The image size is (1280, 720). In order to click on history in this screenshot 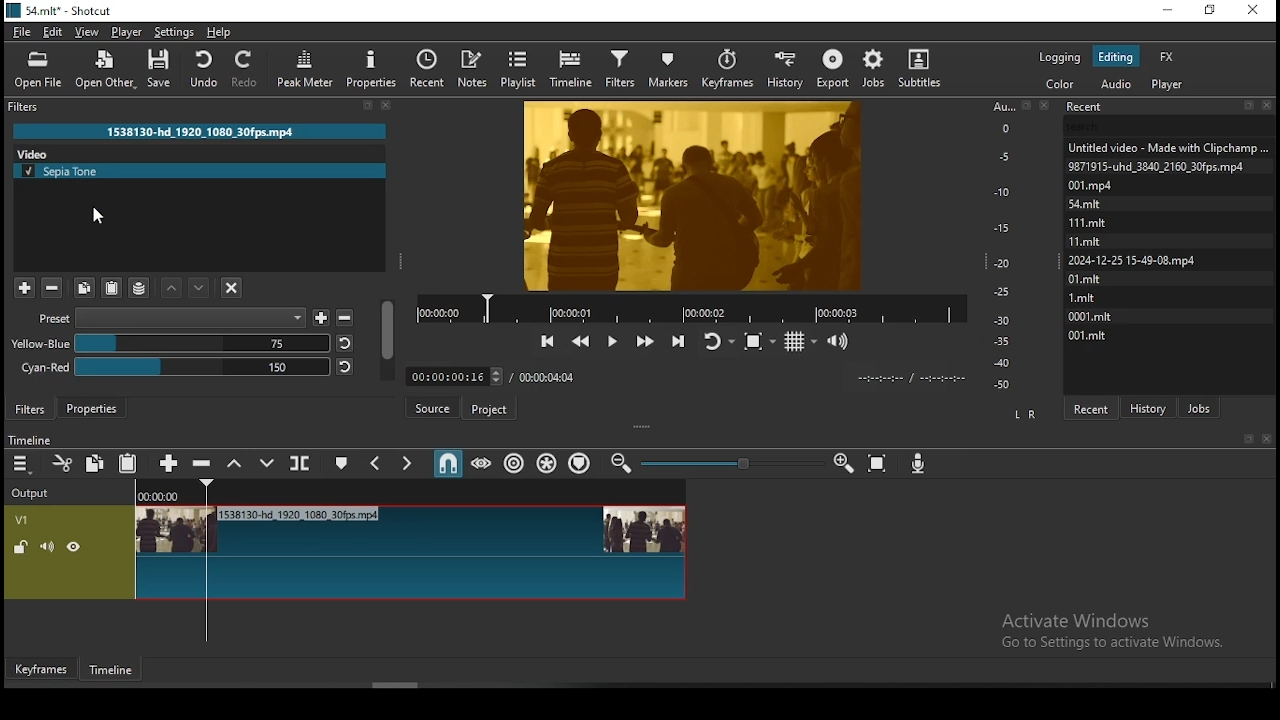, I will do `click(1150, 402)`.